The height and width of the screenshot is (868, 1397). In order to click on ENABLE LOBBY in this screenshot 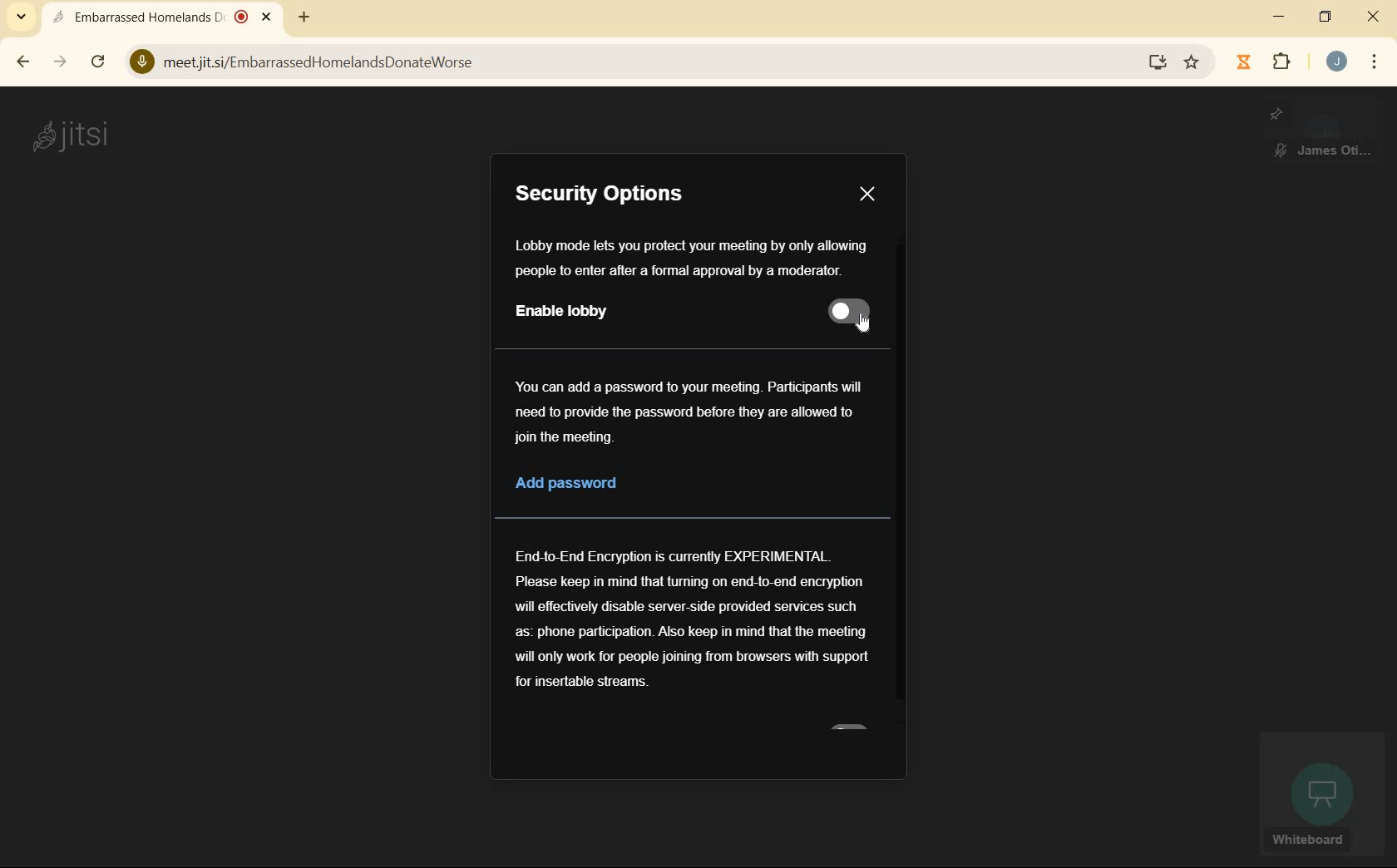, I will do `click(569, 313)`.